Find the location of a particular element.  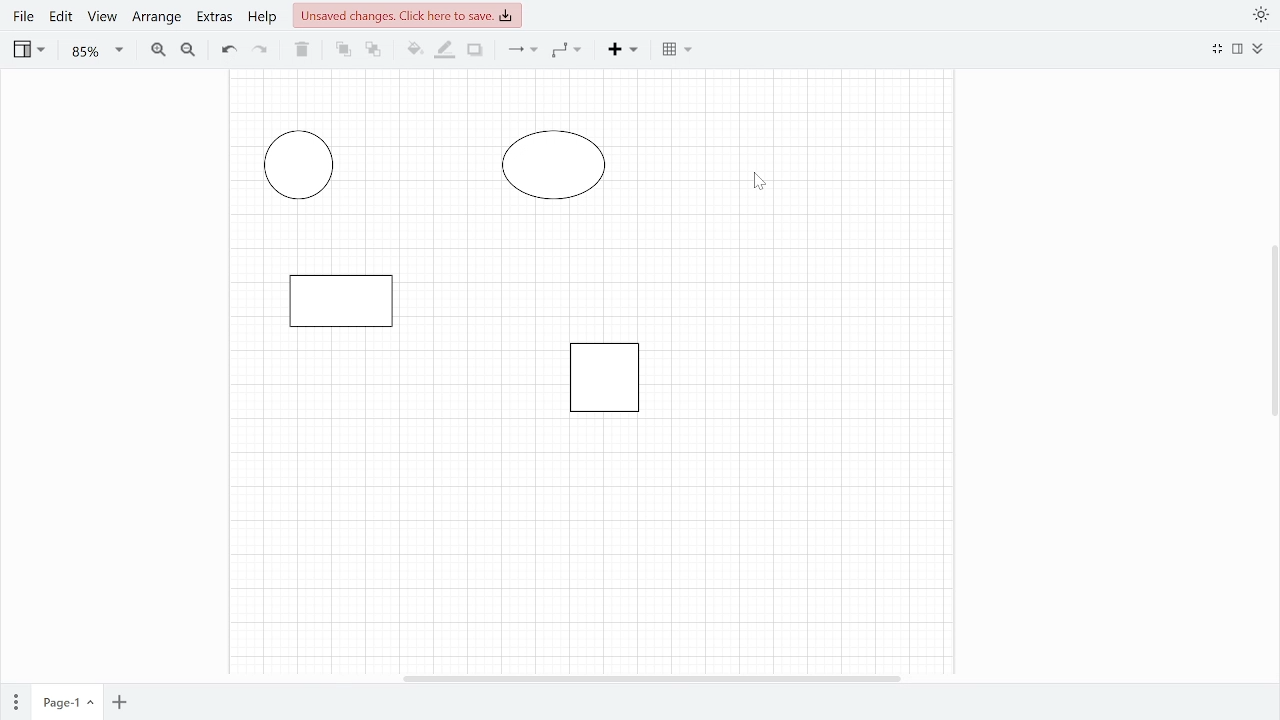

To front is located at coordinates (343, 49).